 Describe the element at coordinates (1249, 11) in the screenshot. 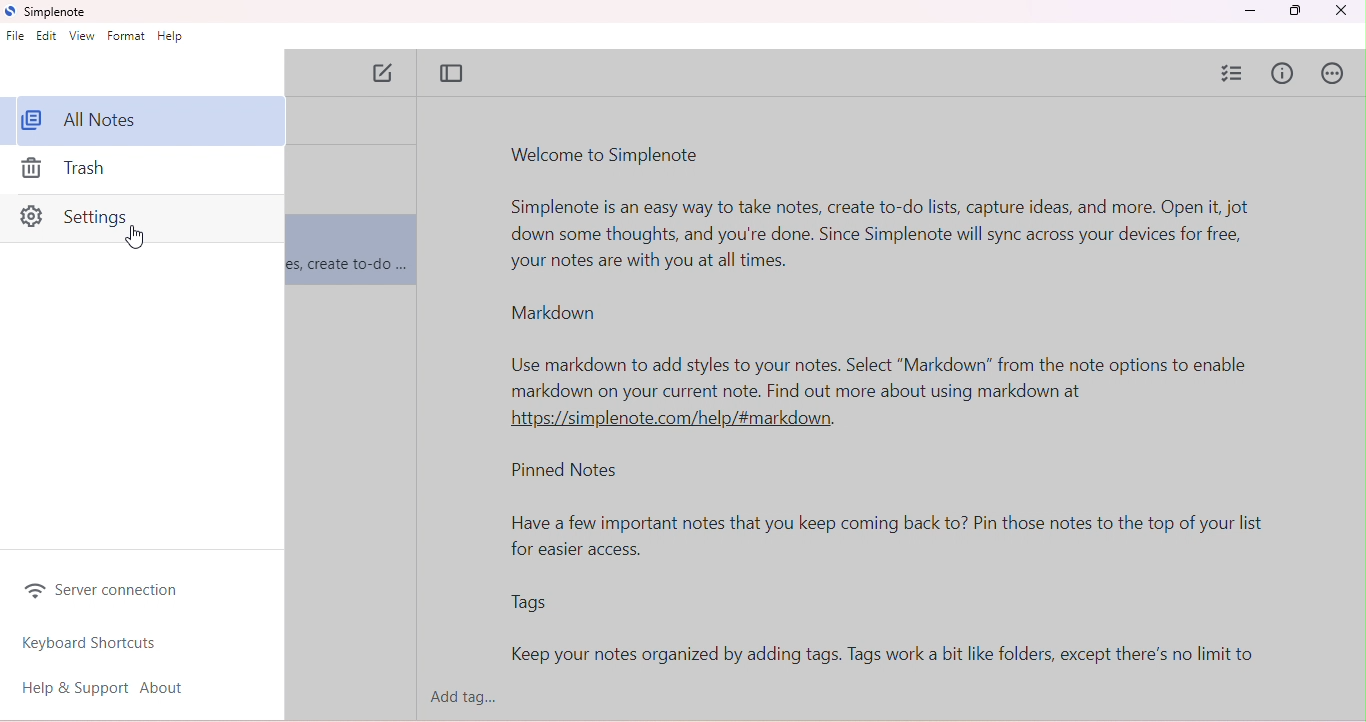

I see `minimize ` at that location.